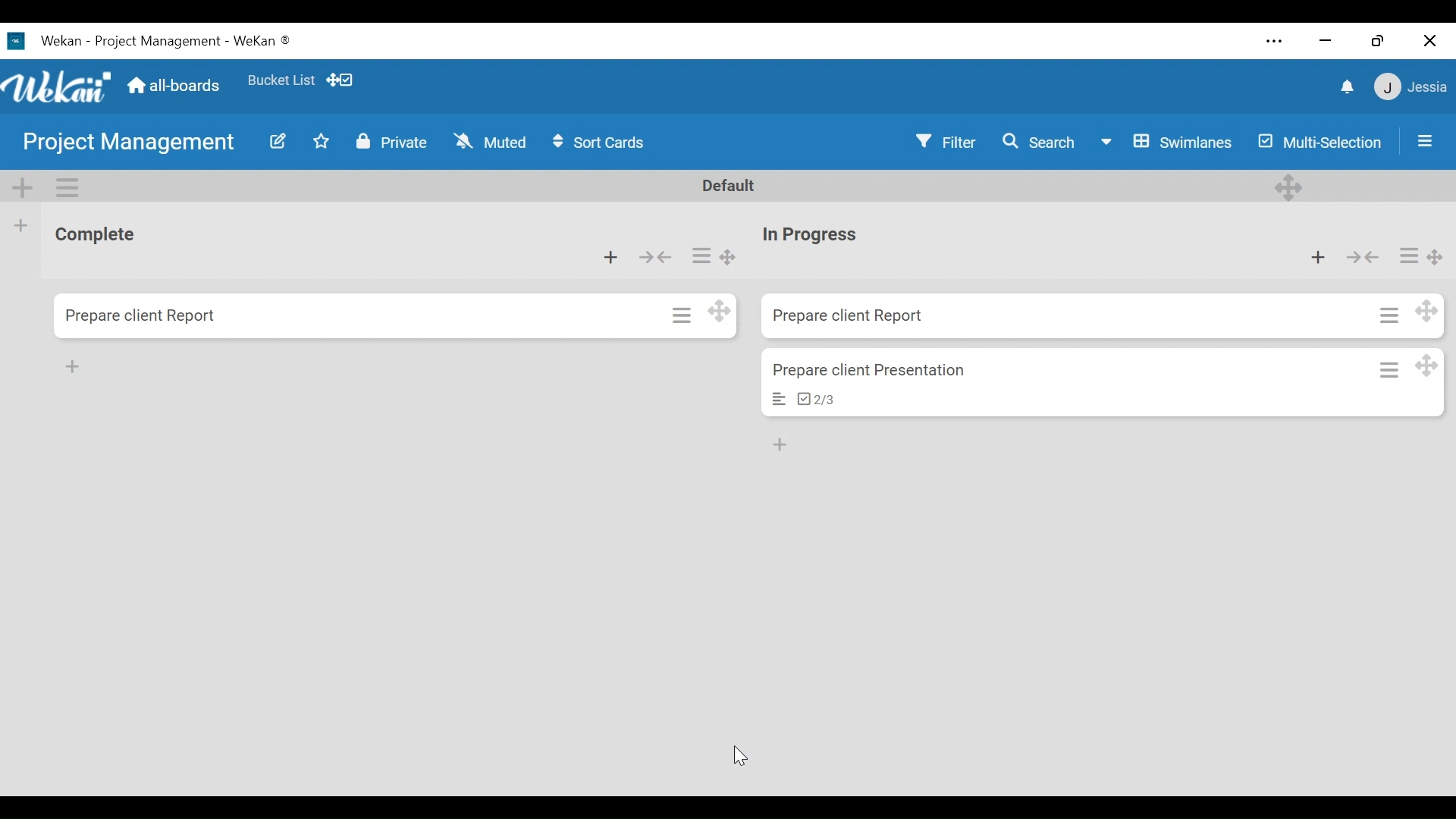  Describe the element at coordinates (781, 445) in the screenshot. I see `Add card to bottom of the list` at that location.